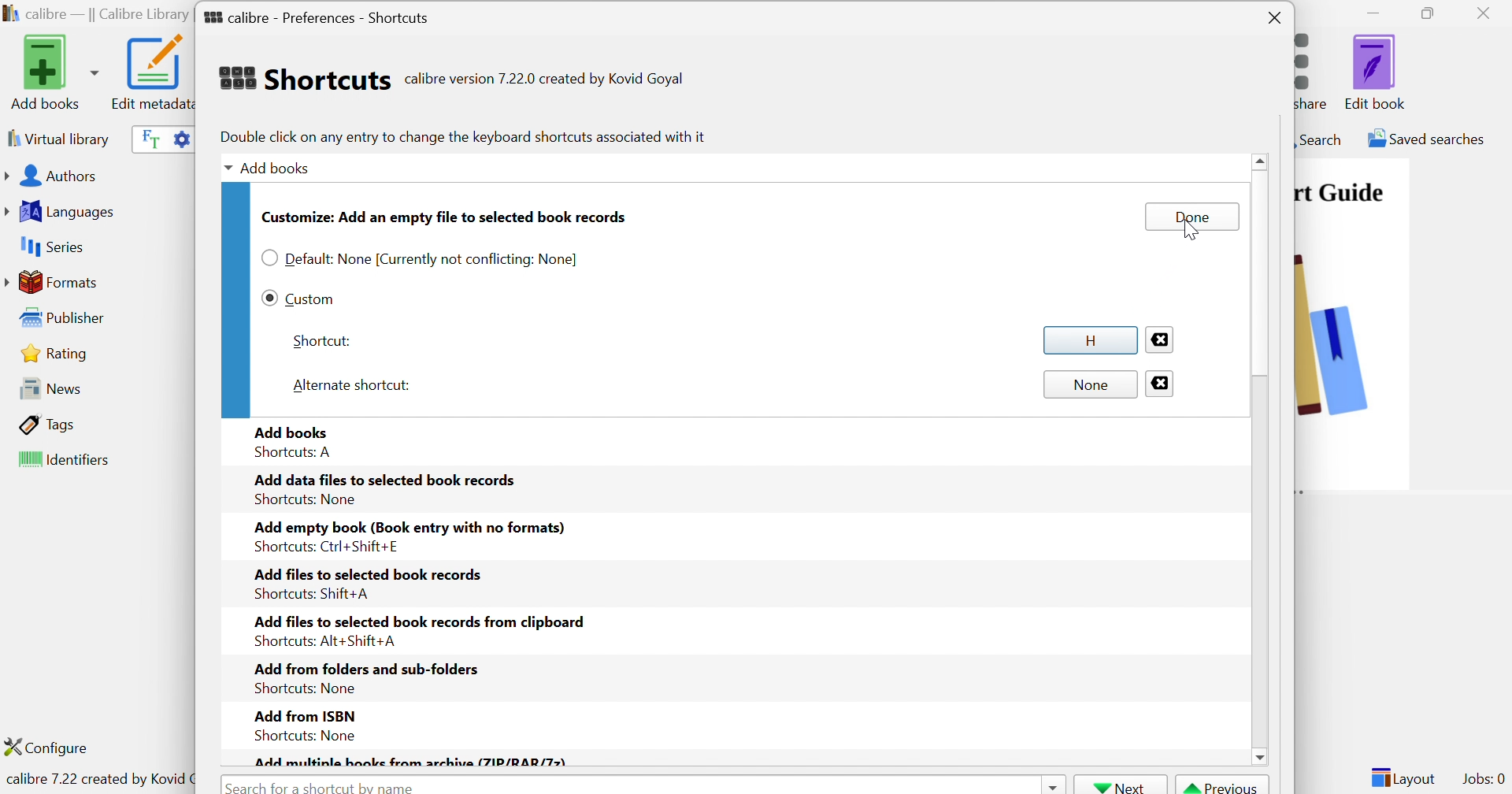  Describe the element at coordinates (95, 15) in the screenshot. I see `calibre - || Calibre Library ||` at that location.